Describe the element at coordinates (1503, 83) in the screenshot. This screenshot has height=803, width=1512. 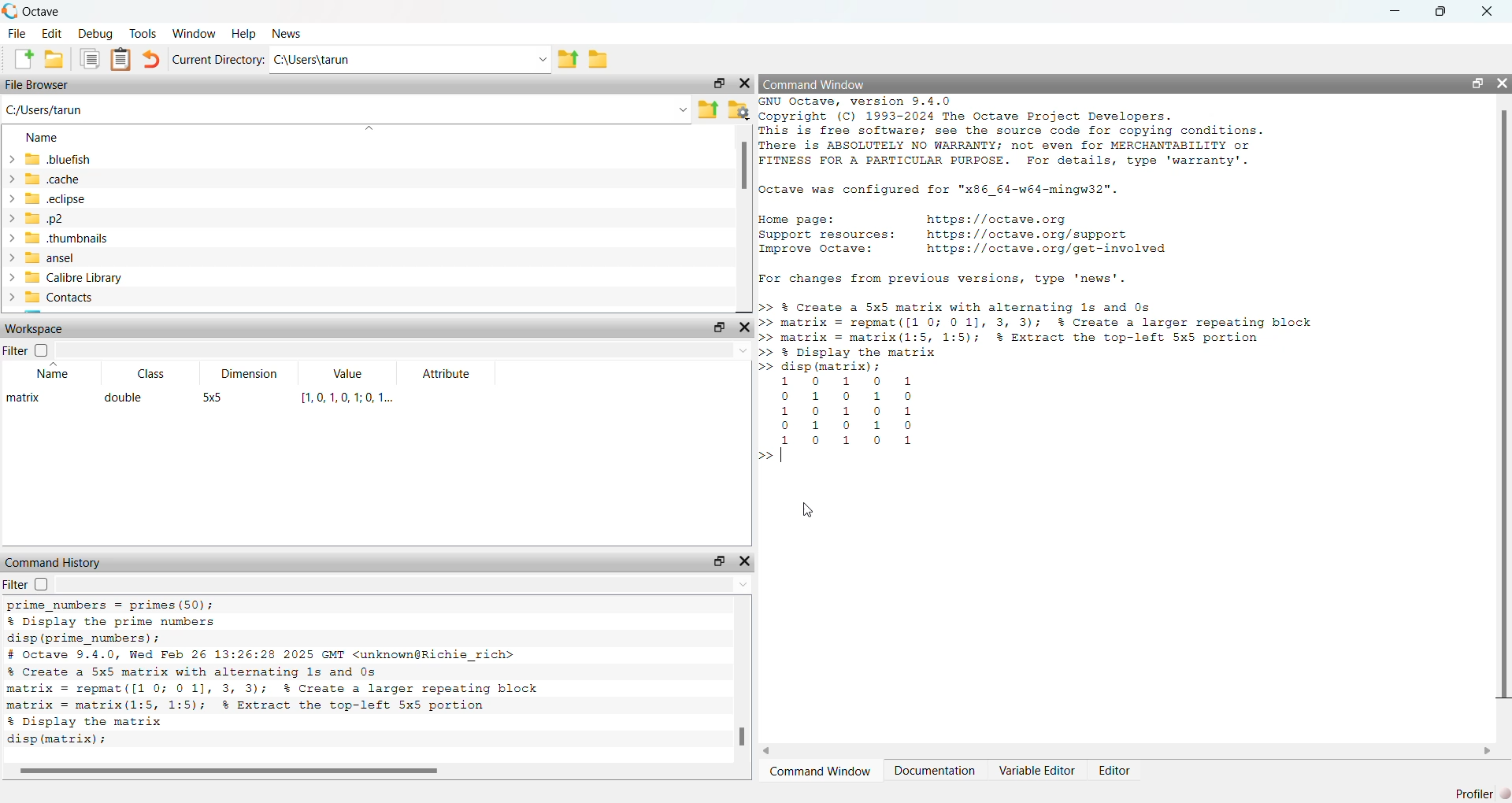
I see `close` at that location.